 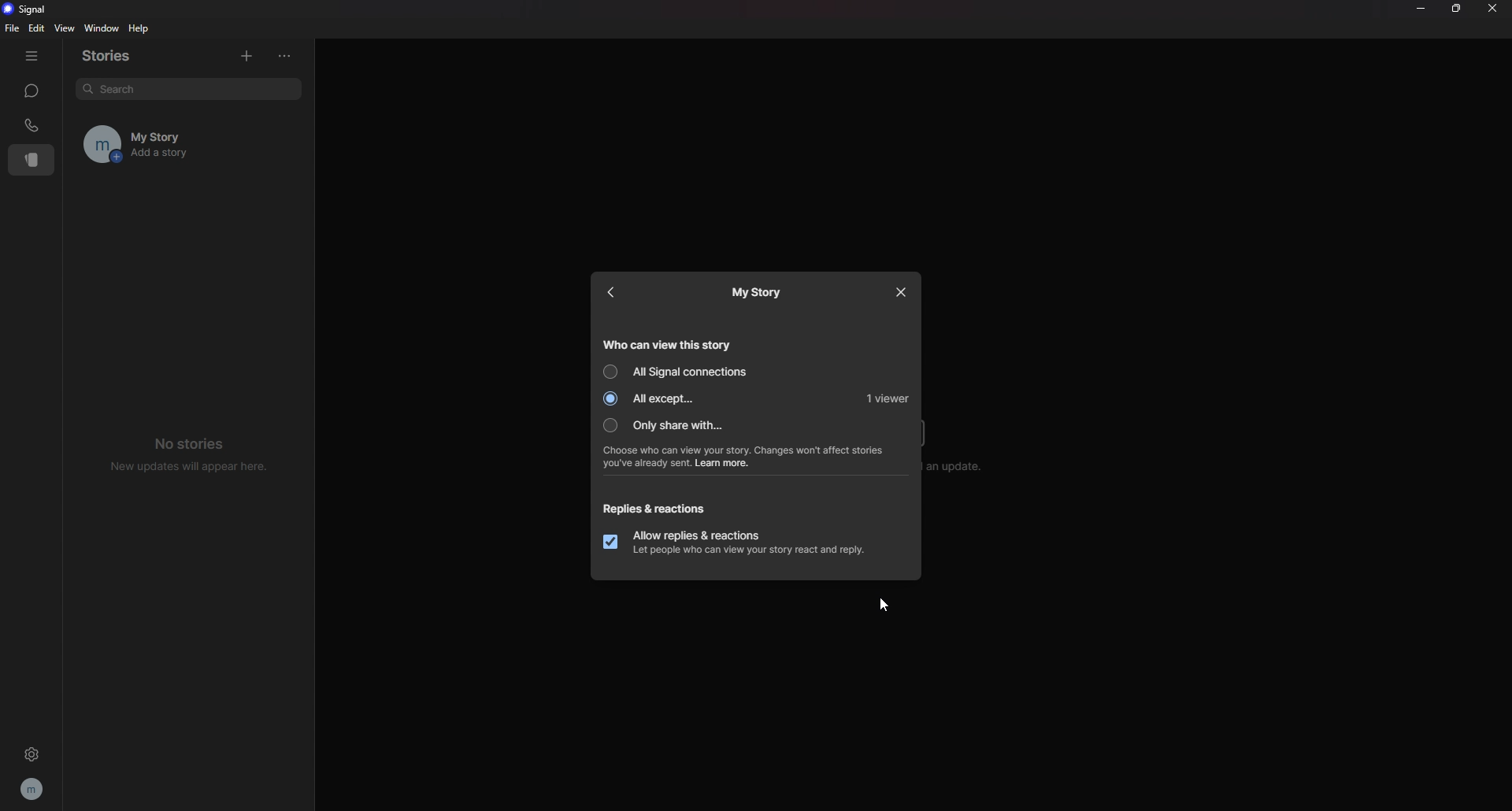 What do you see at coordinates (674, 399) in the screenshot?
I see `all except` at bounding box center [674, 399].